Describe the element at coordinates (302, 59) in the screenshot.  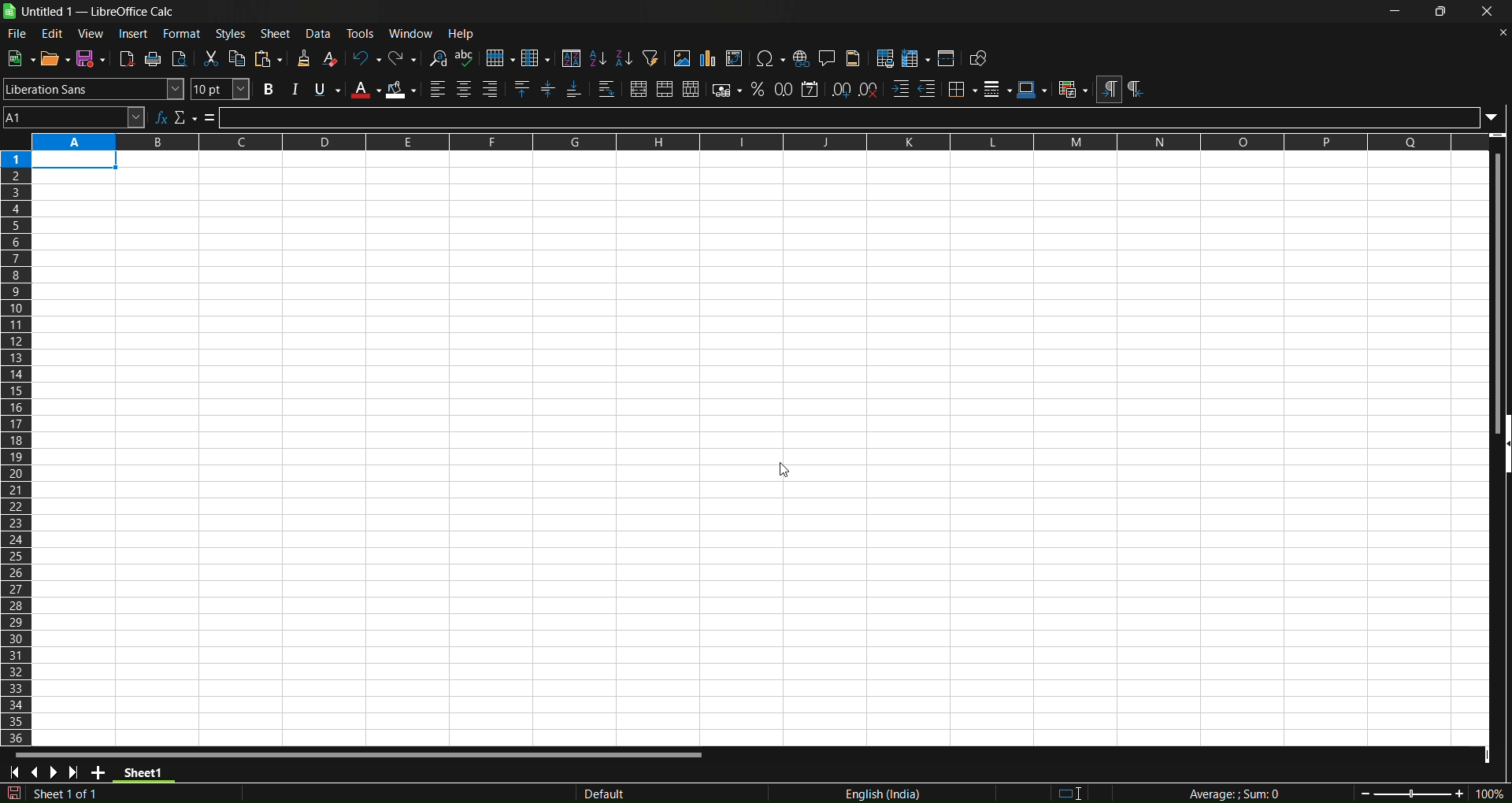
I see `clone formatting` at that location.